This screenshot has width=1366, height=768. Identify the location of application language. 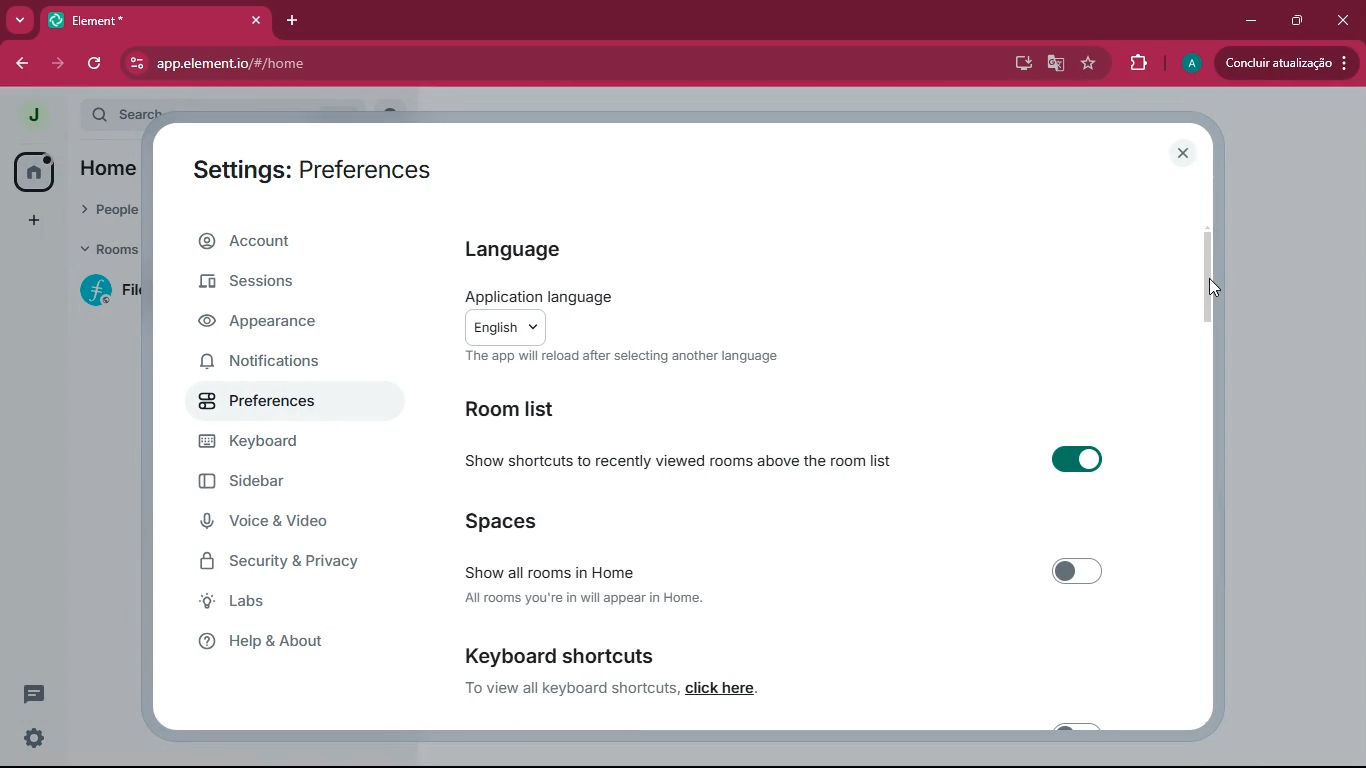
(537, 296).